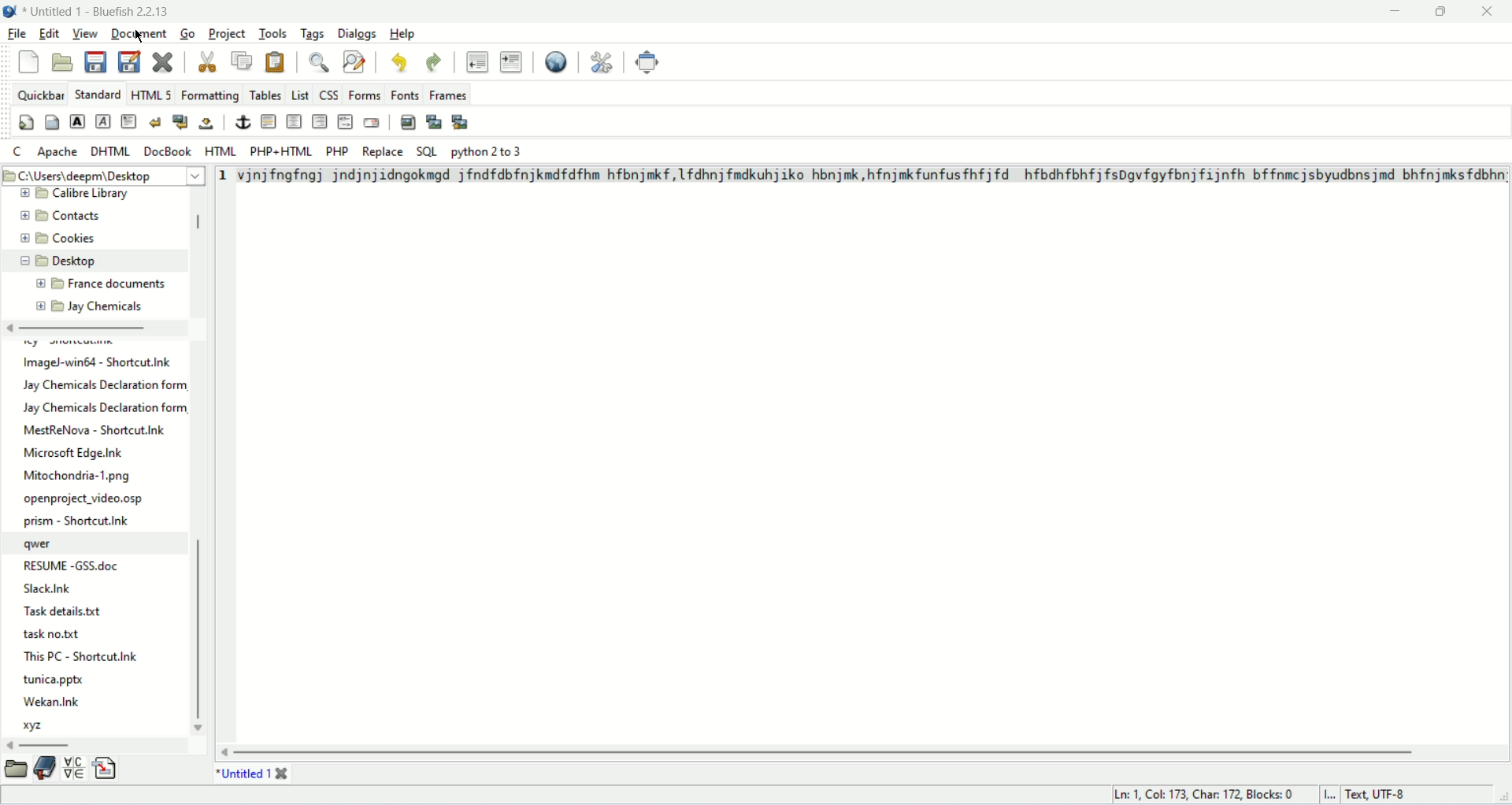 This screenshot has width=1512, height=805. Describe the element at coordinates (168, 150) in the screenshot. I see `DOCBOOK` at that location.